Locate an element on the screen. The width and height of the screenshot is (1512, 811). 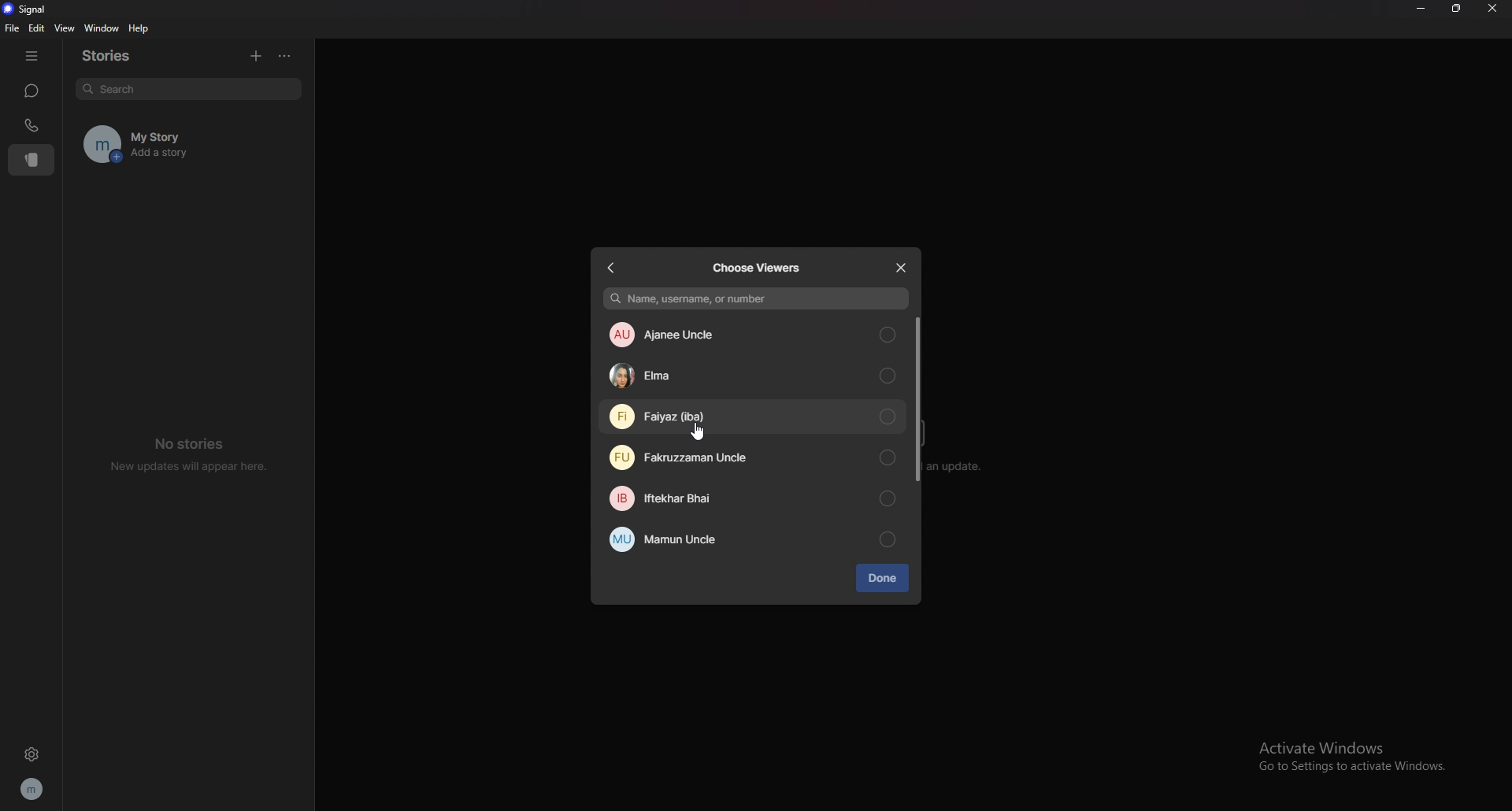
close is located at coordinates (902, 268).